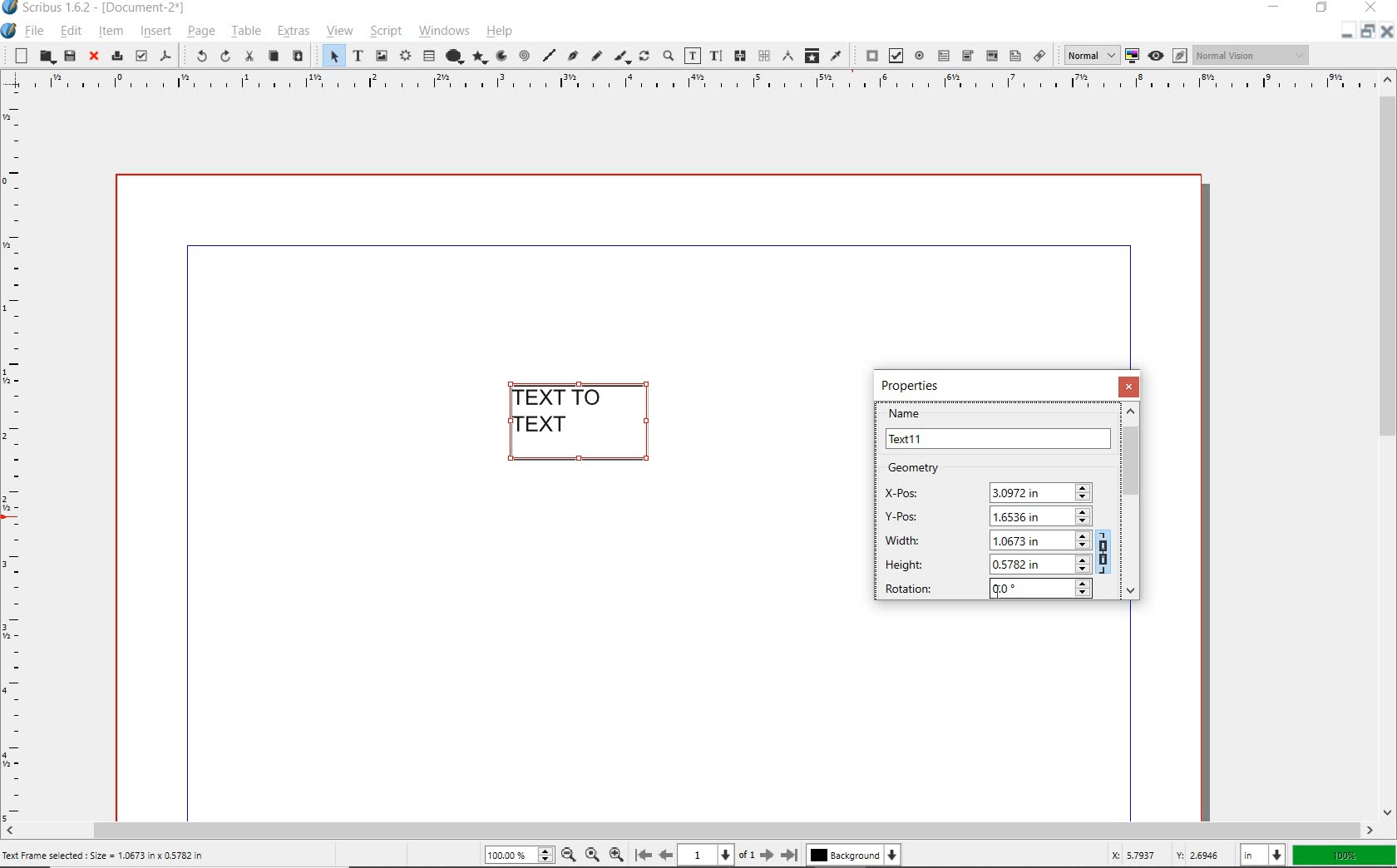  I want to click on move to previous, so click(665, 856).